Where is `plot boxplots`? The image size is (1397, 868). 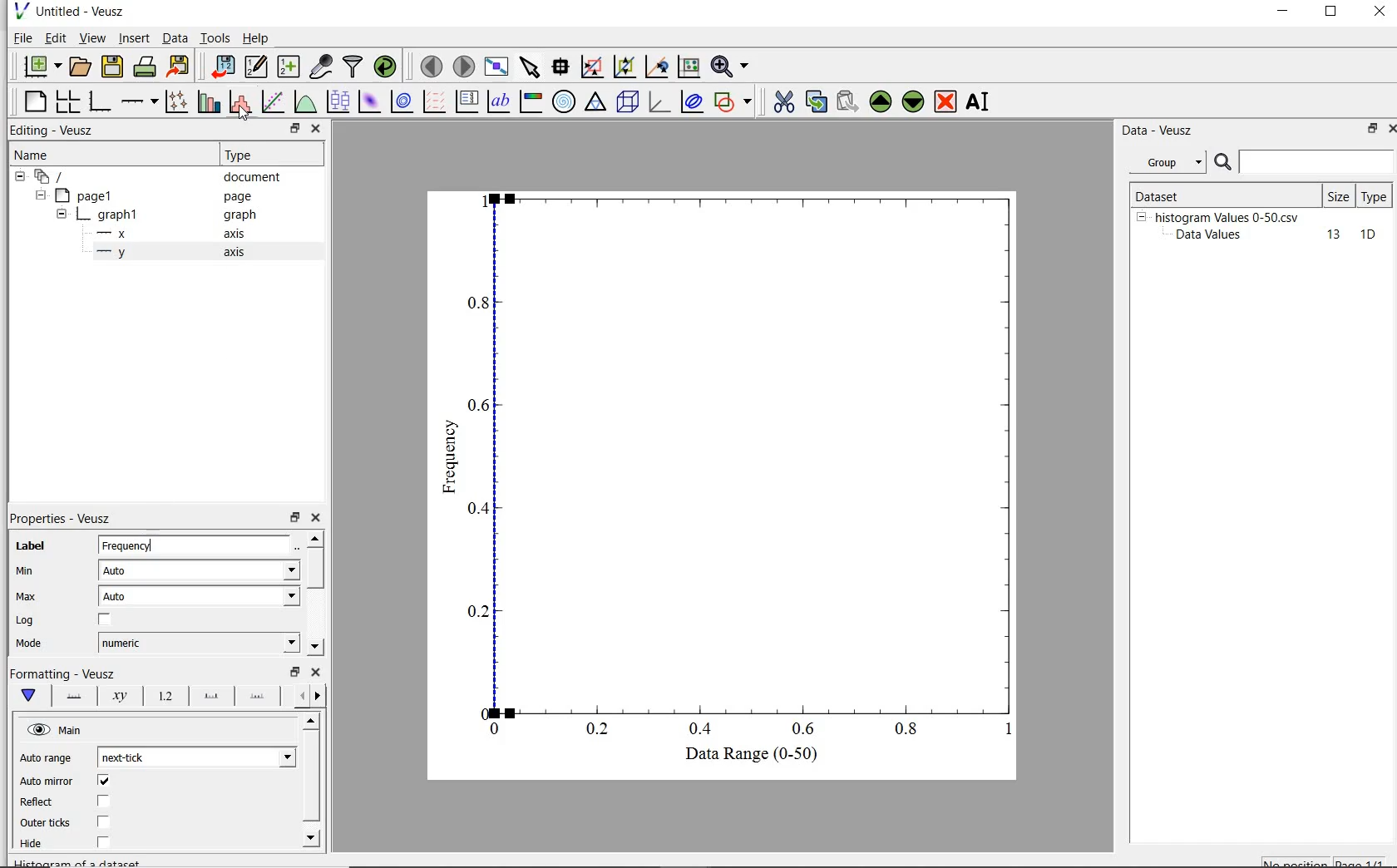 plot boxplots is located at coordinates (338, 101).